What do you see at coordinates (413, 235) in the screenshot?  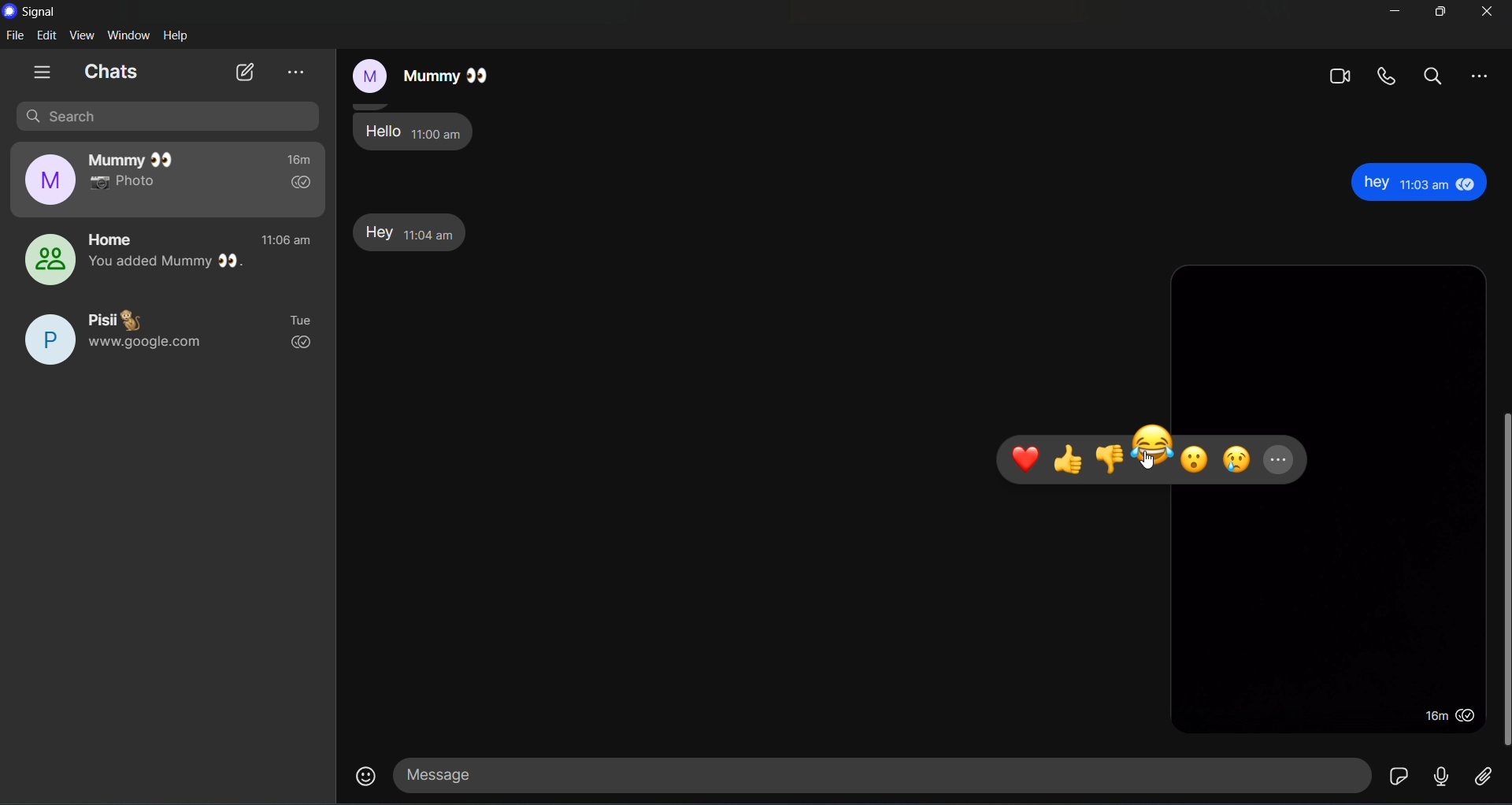 I see `hey message` at bounding box center [413, 235].